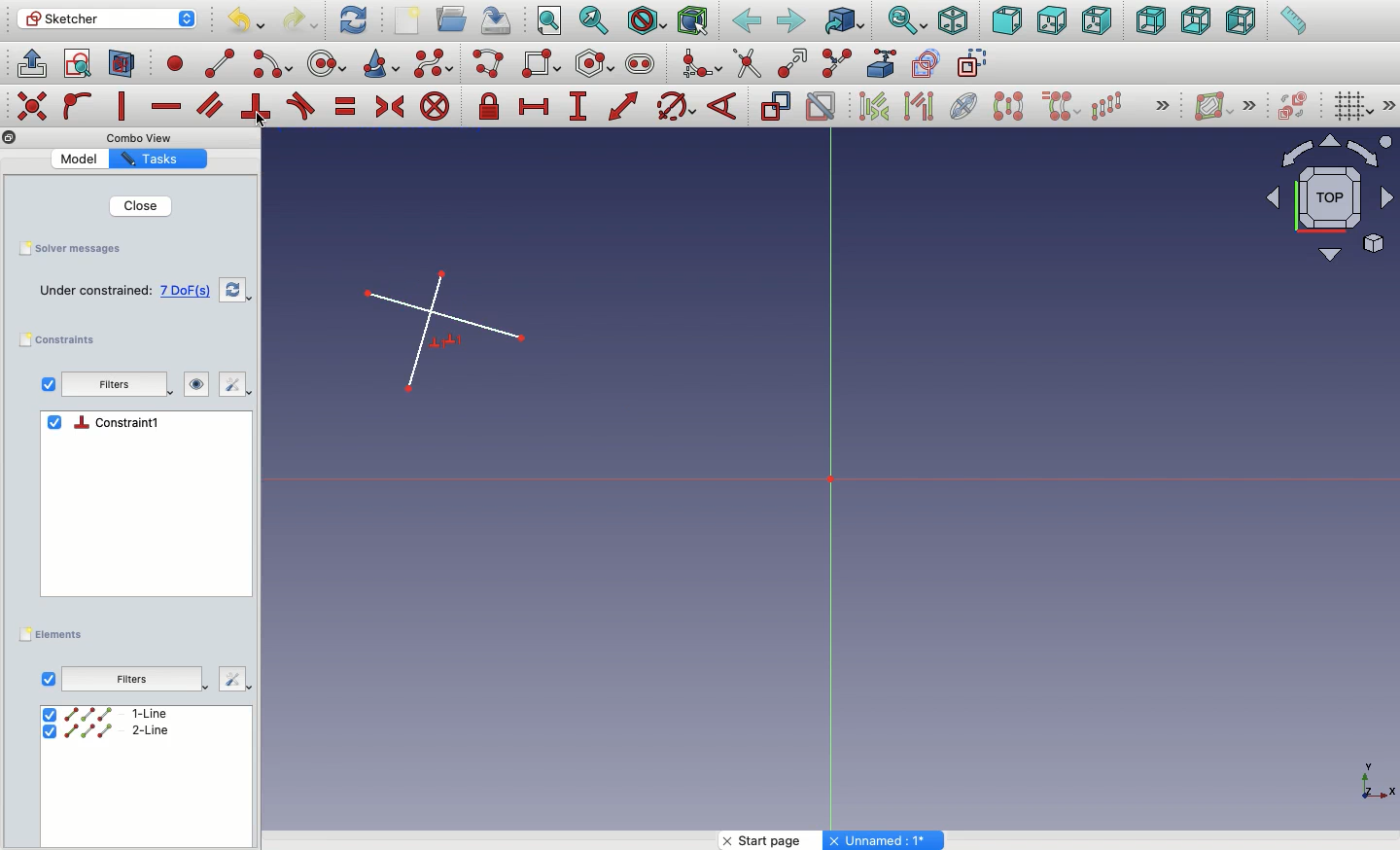  I want to click on Forward, so click(791, 22).